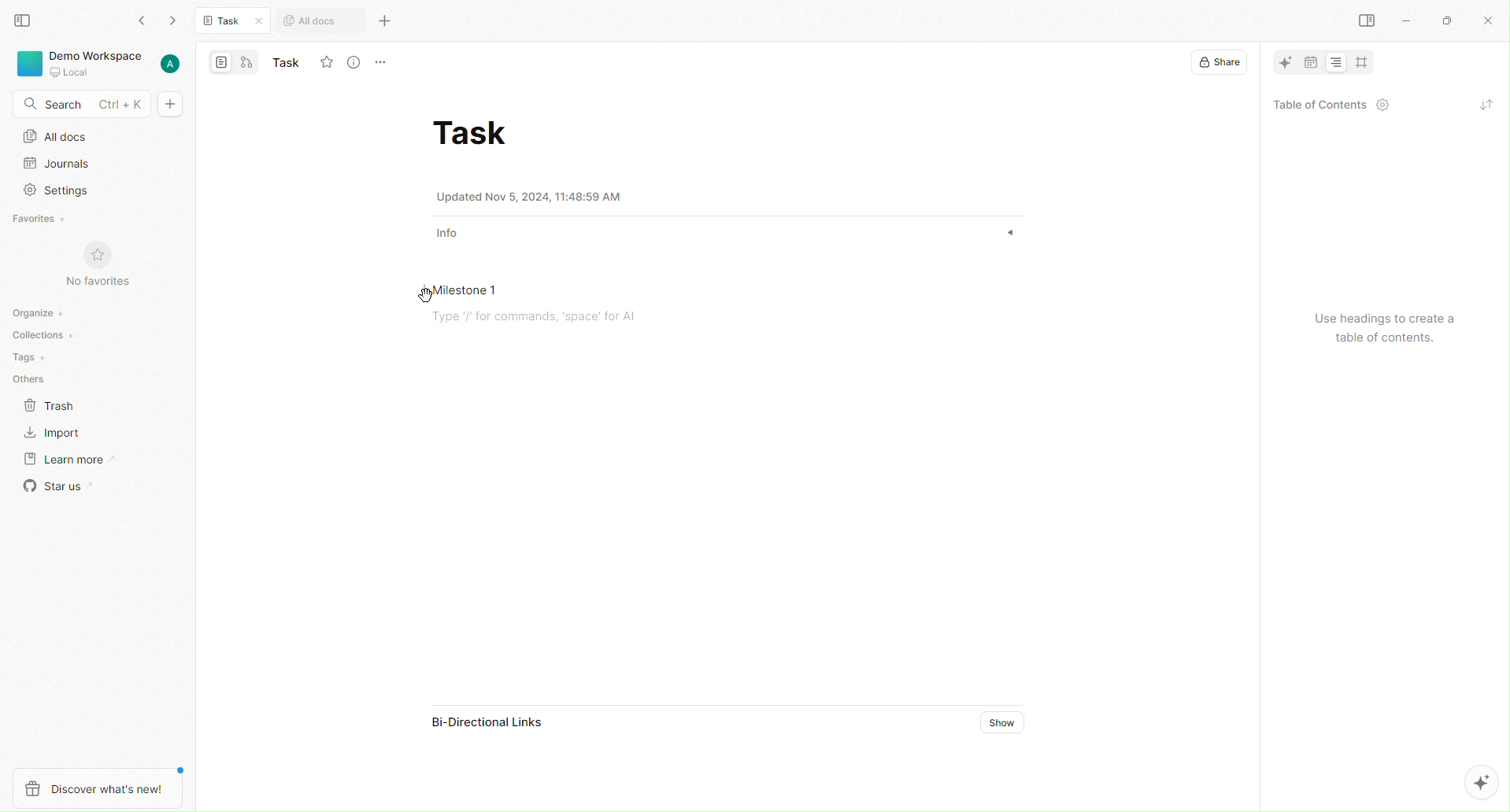 The image size is (1510, 812). I want to click on Favorites, so click(43, 219).